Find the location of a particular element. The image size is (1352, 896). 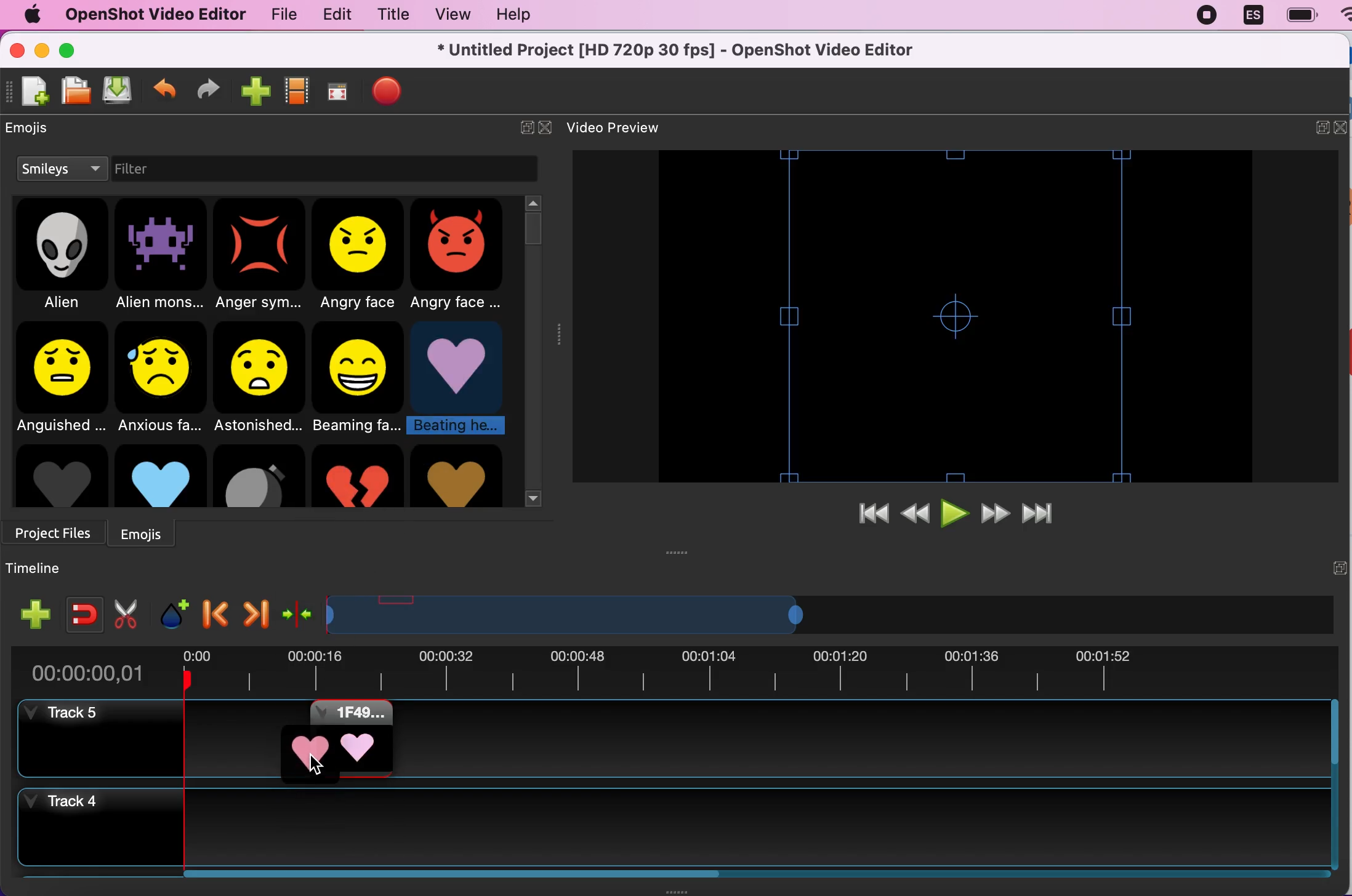

beaming is located at coordinates (361, 378).